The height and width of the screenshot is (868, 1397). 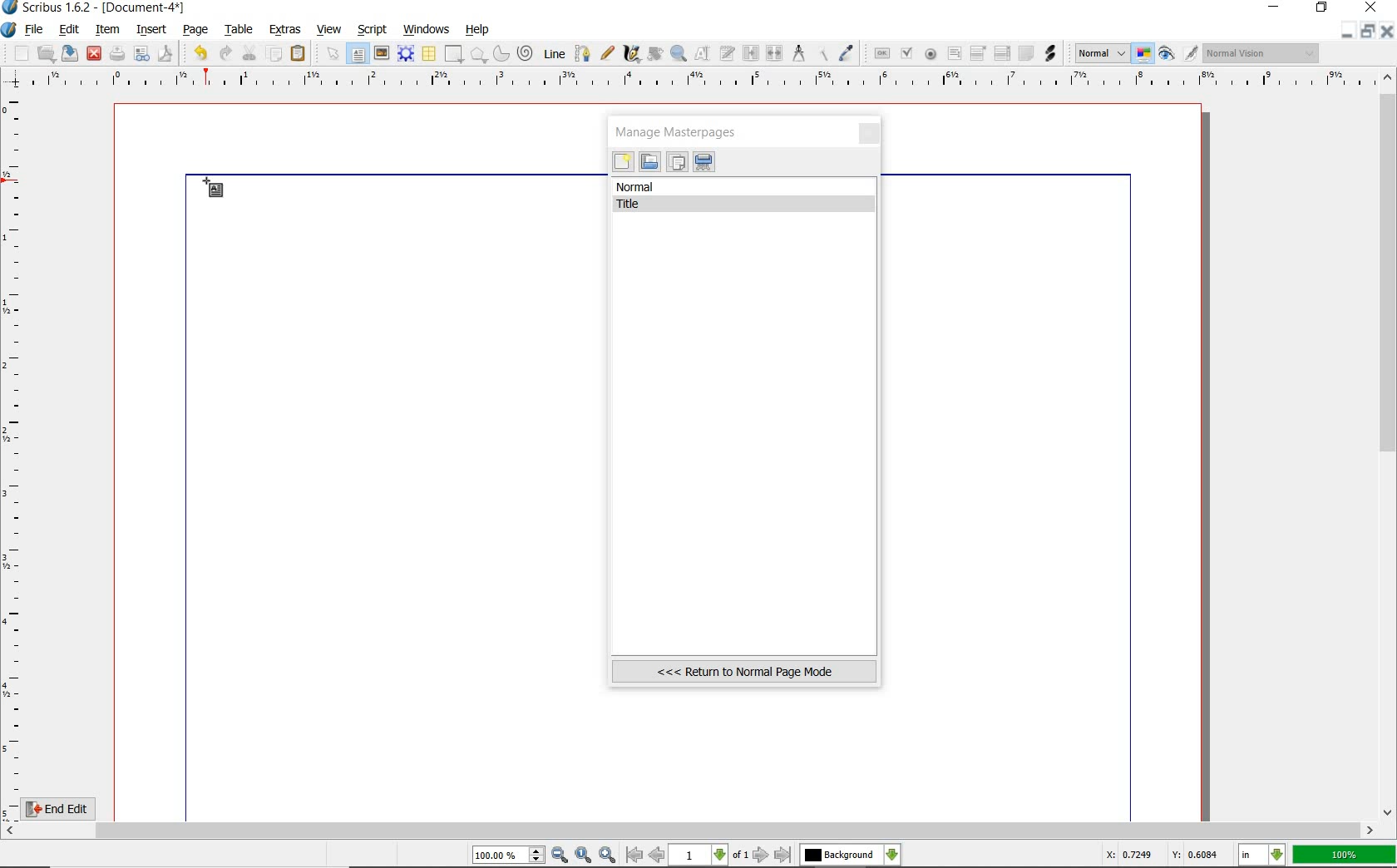 I want to click on table, so click(x=428, y=54).